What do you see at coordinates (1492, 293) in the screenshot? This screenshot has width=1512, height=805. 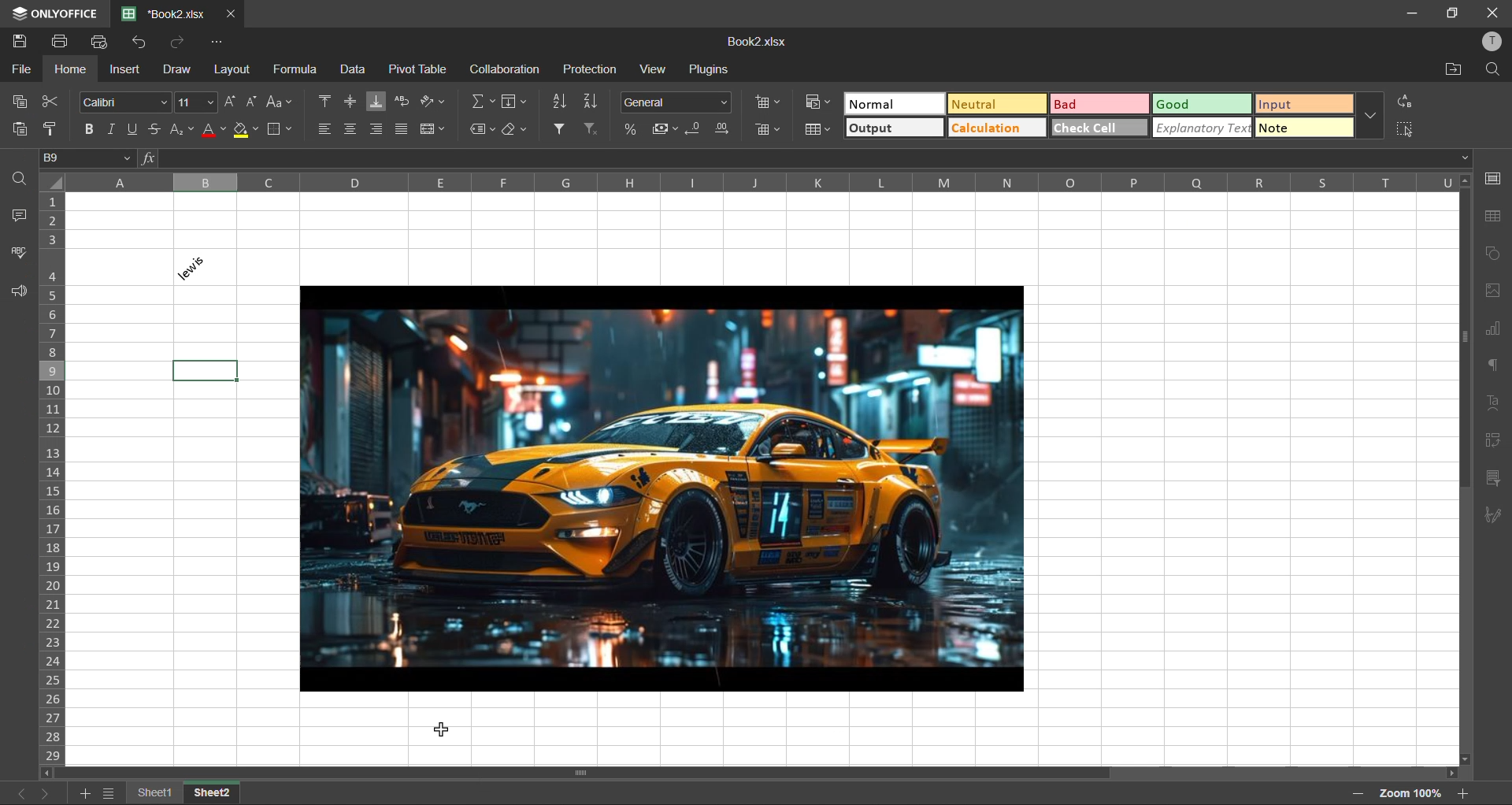 I see `images` at bounding box center [1492, 293].